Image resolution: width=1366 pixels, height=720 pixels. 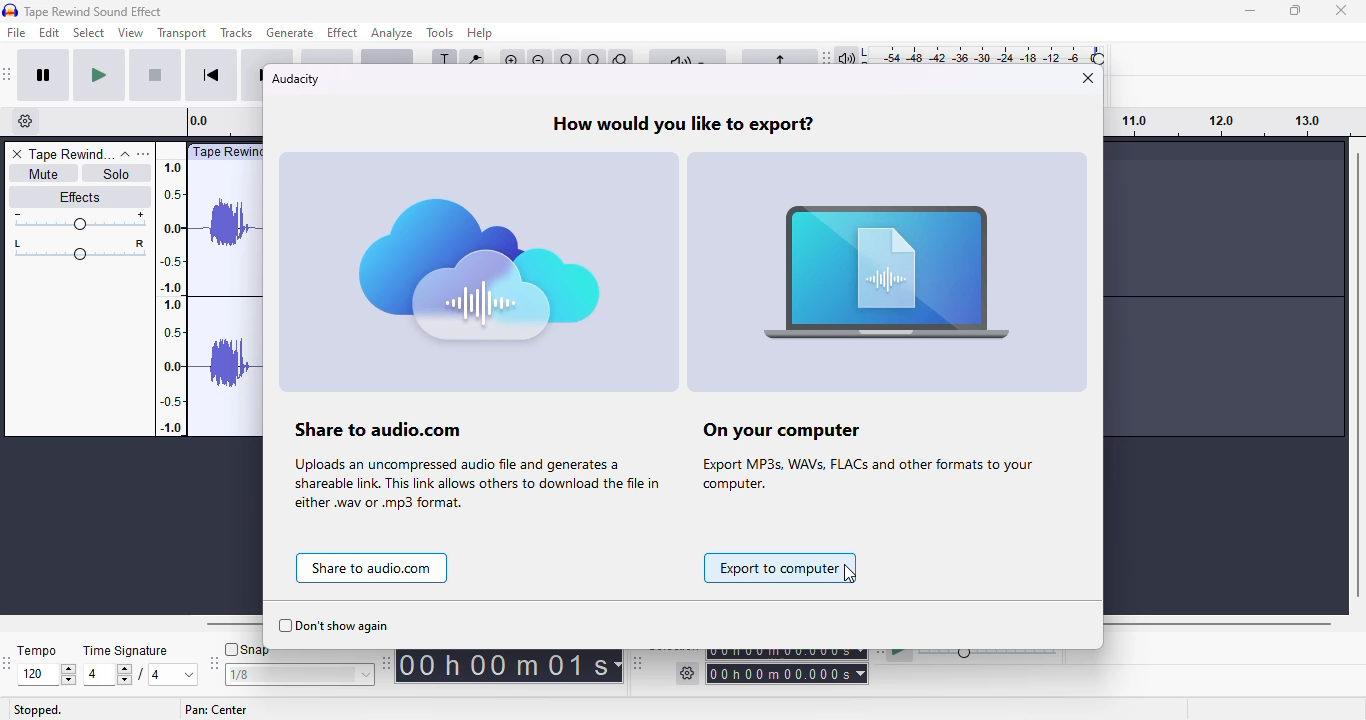 What do you see at coordinates (334, 626) in the screenshot?
I see `don't show again ` at bounding box center [334, 626].